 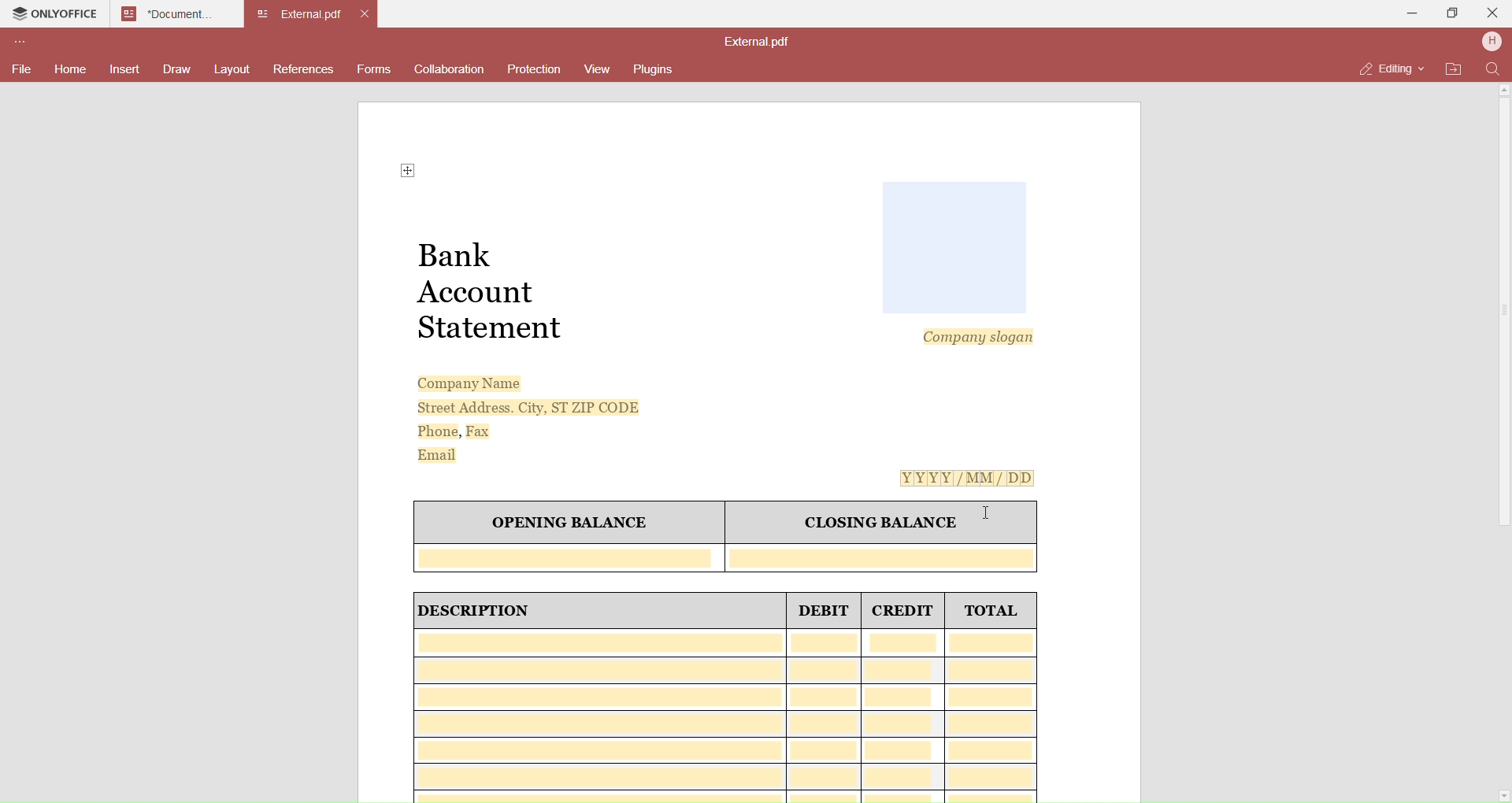 What do you see at coordinates (962, 480) in the screenshot?
I see `YYYY|/MM|/IDD|` at bounding box center [962, 480].